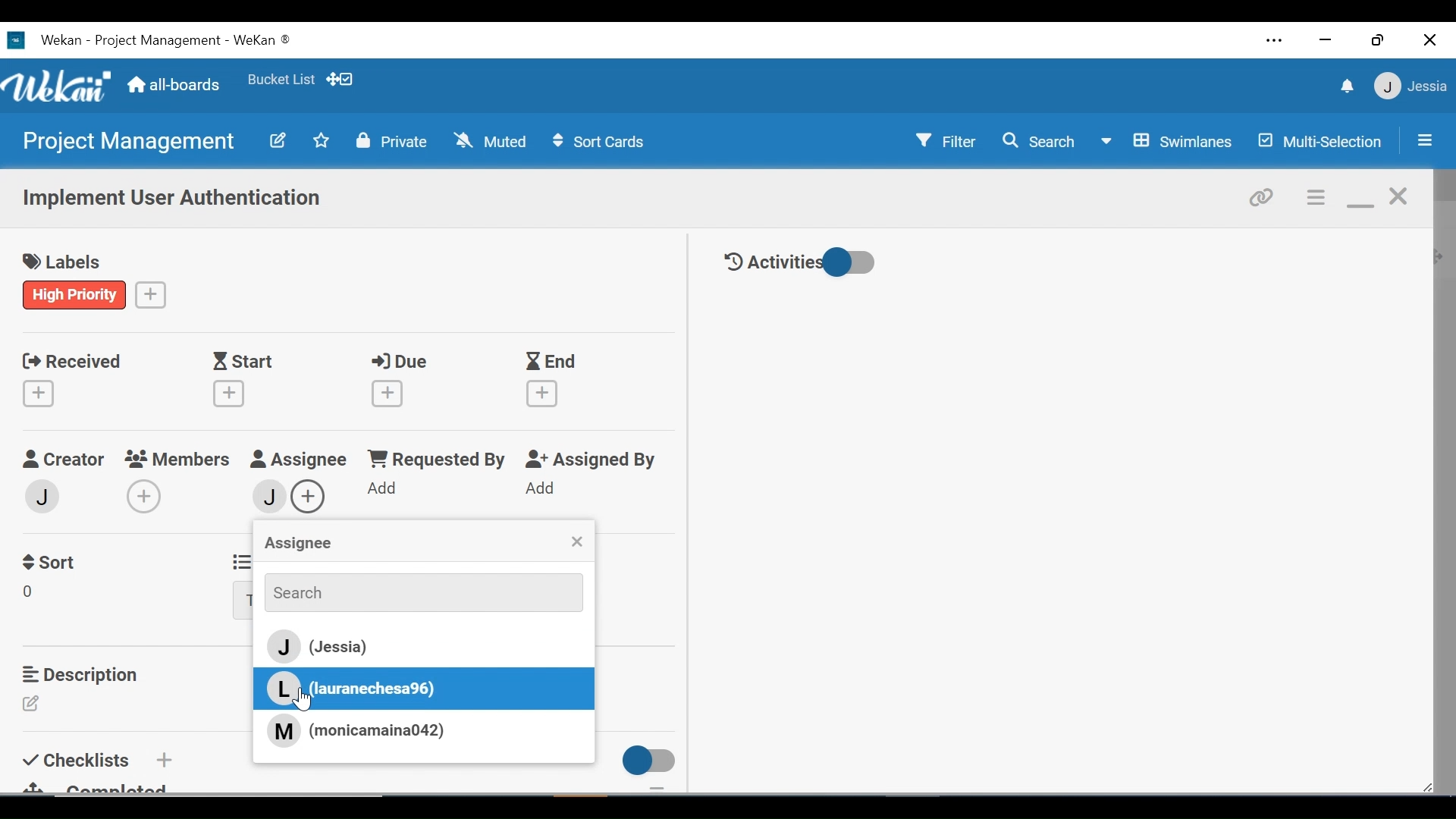 The image size is (1456, 819). What do you see at coordinates (1400, 197) in the screenshot?
I see `close` at bounding box center [1400, 197].